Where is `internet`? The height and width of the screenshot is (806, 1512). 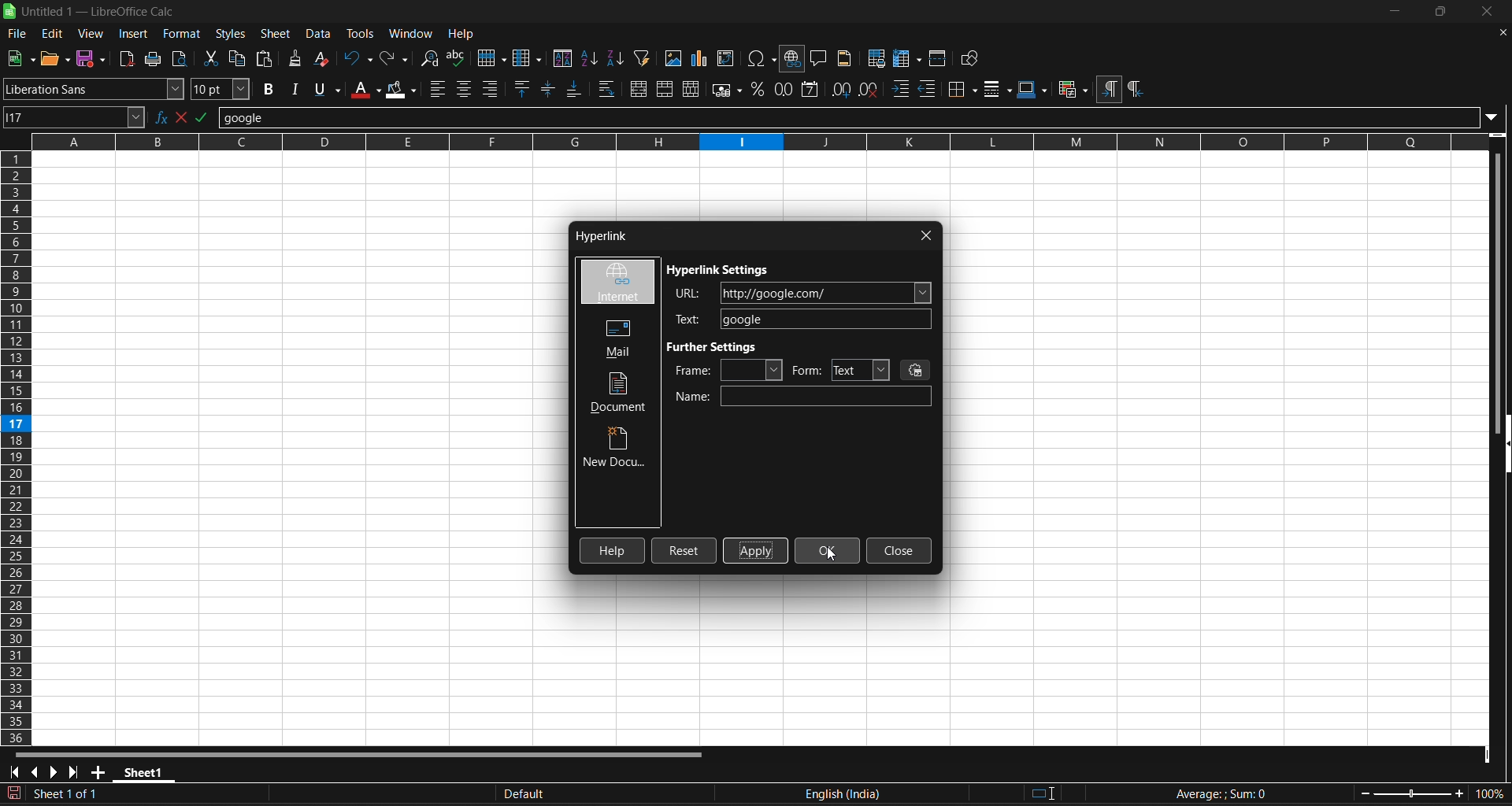
internet is located at coordinates (617, 283).